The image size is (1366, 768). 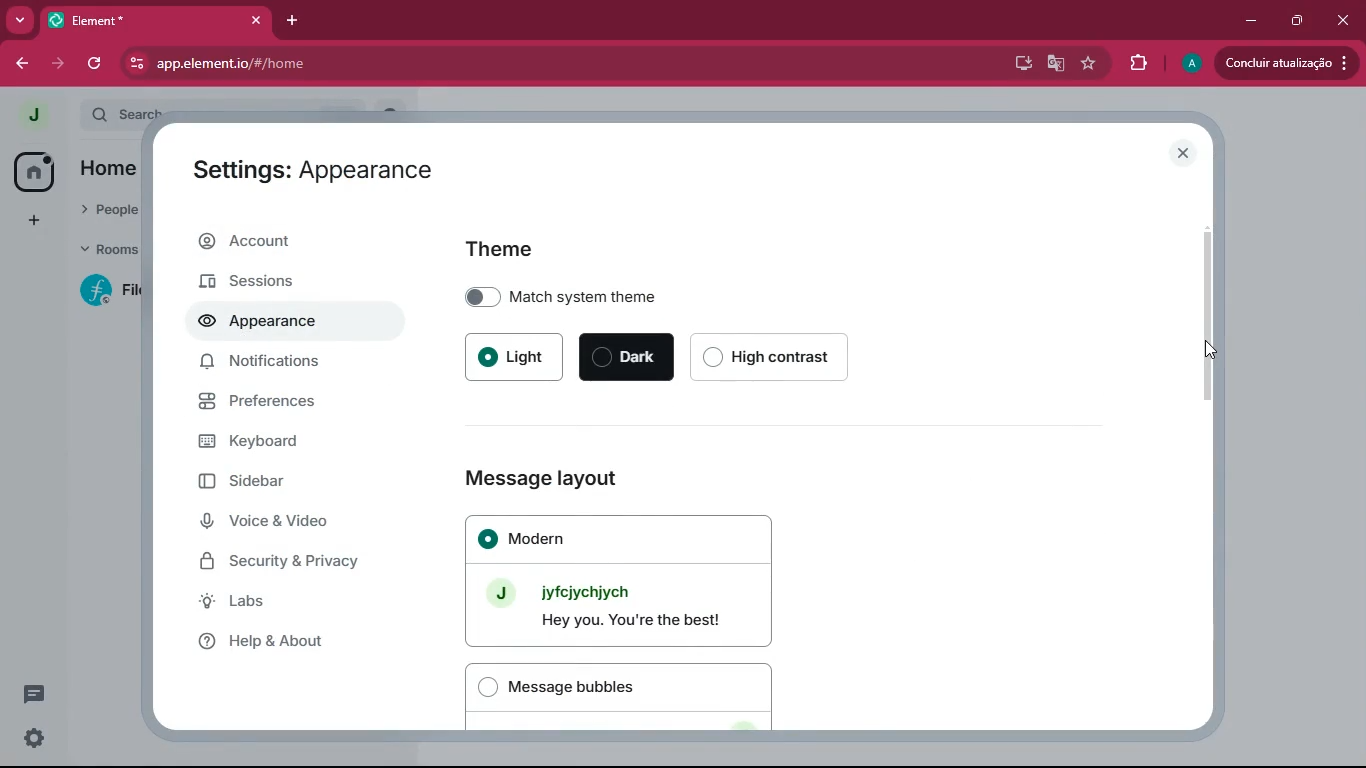 I want to click on extensions, so click(x=1139, y=64).